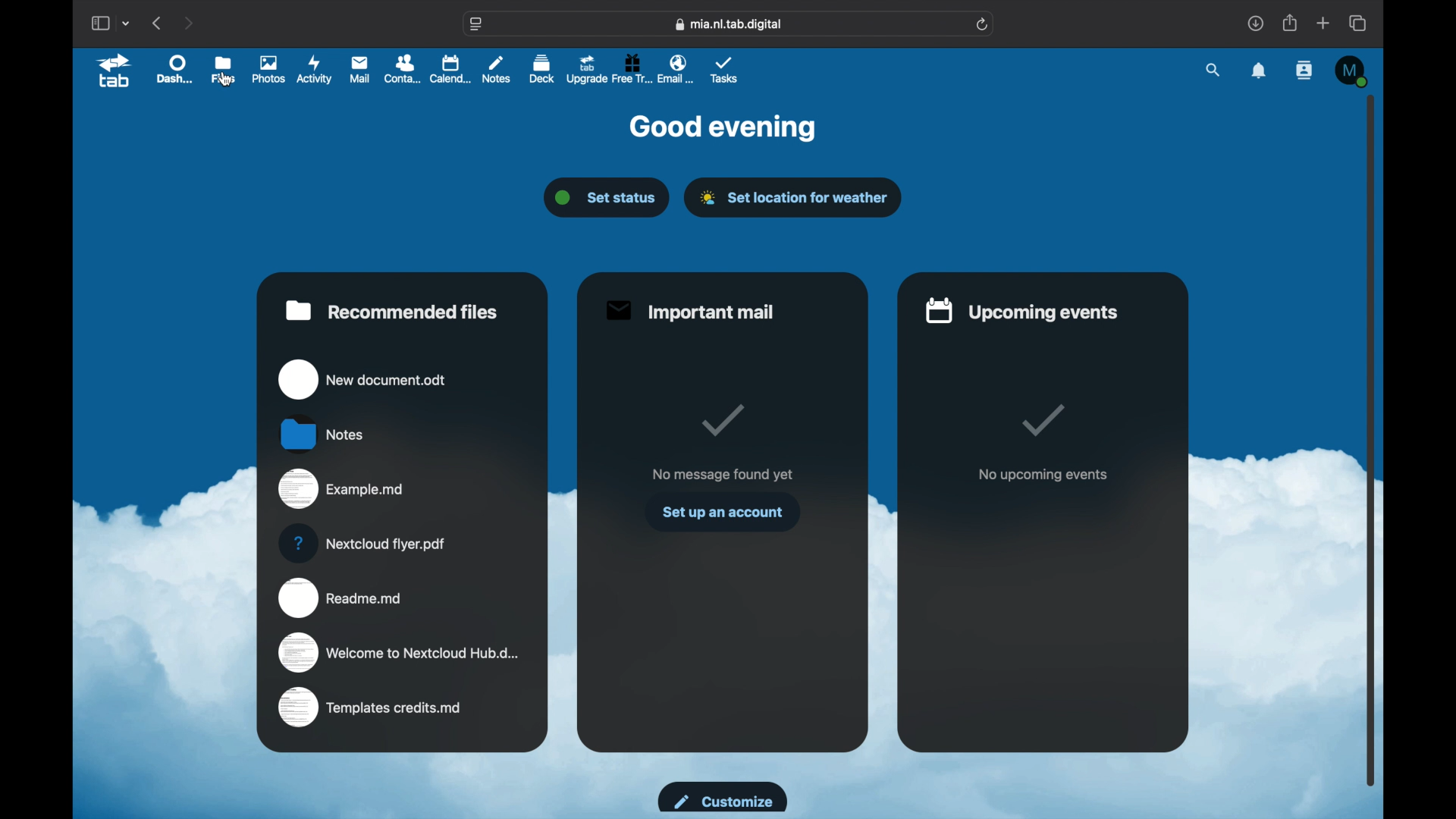 This screenshot has width=1456, height=819. What do you see at coordinates (1260, 71) in the screenshot?
I see `notifications` at bounding box center [1260, 71].